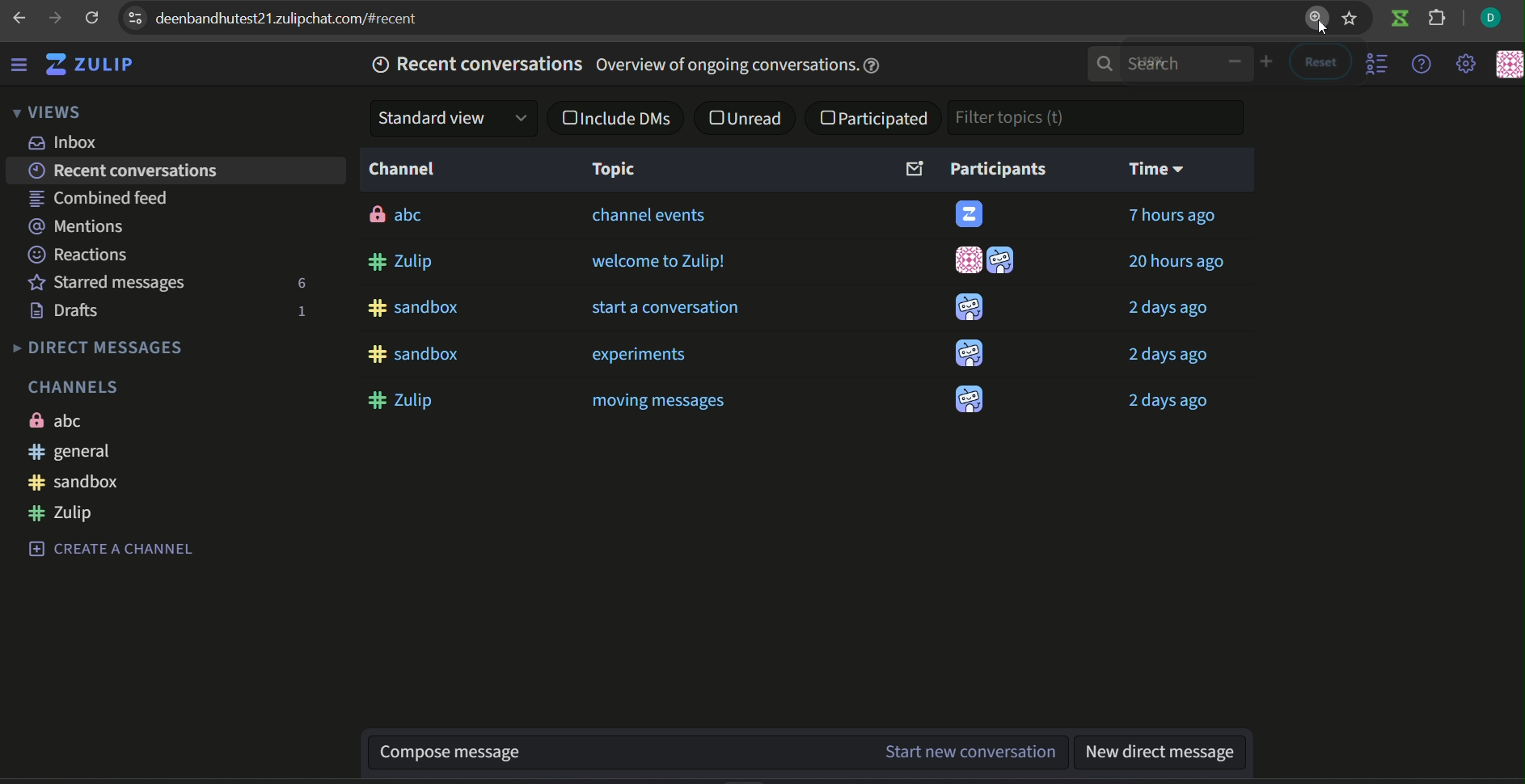 The width and height of the screenshot is (1525, 784). I want to click on search bar, so click(1147, 65).